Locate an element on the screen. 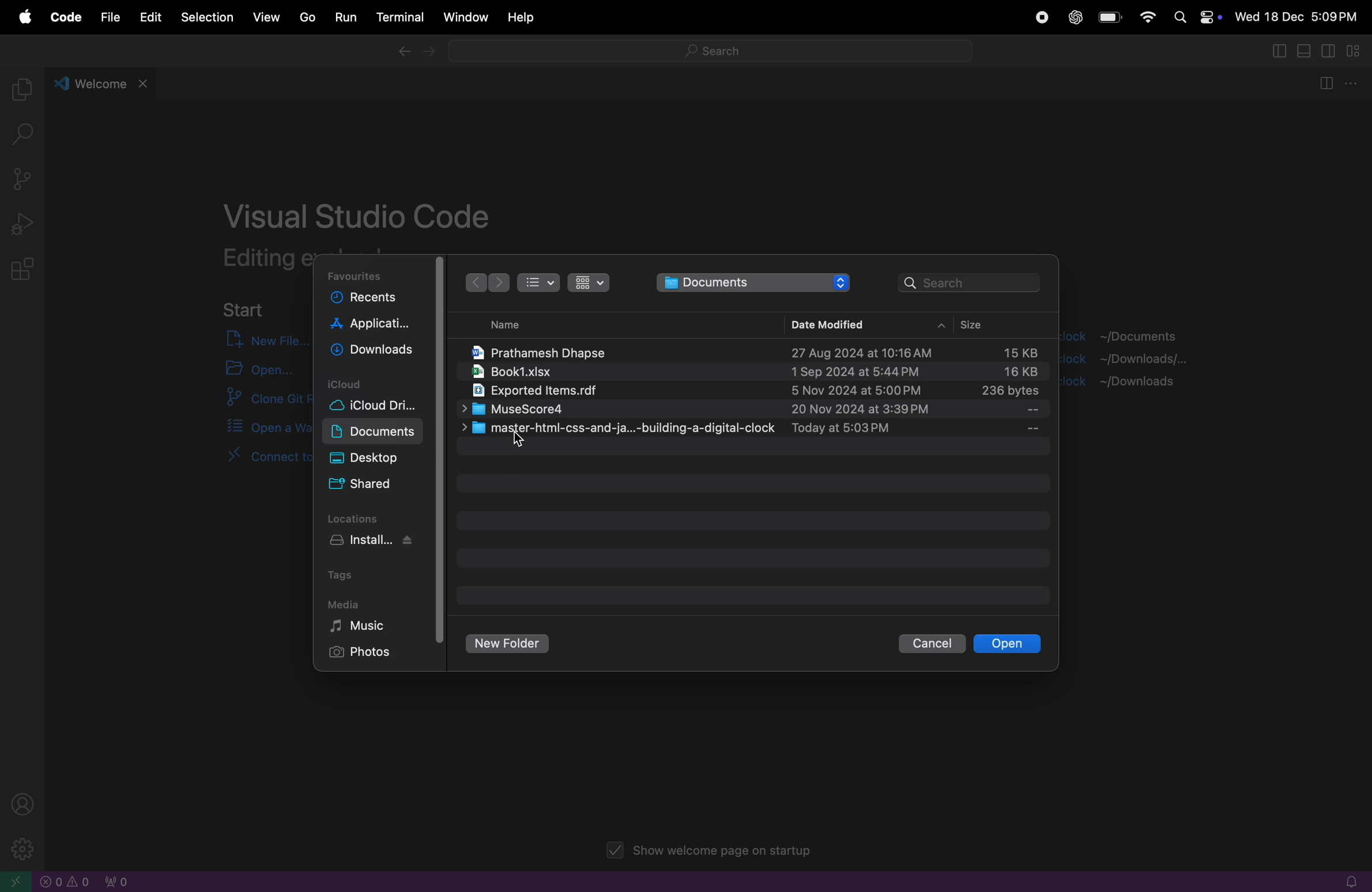  media is located at coordinates (344, 603).